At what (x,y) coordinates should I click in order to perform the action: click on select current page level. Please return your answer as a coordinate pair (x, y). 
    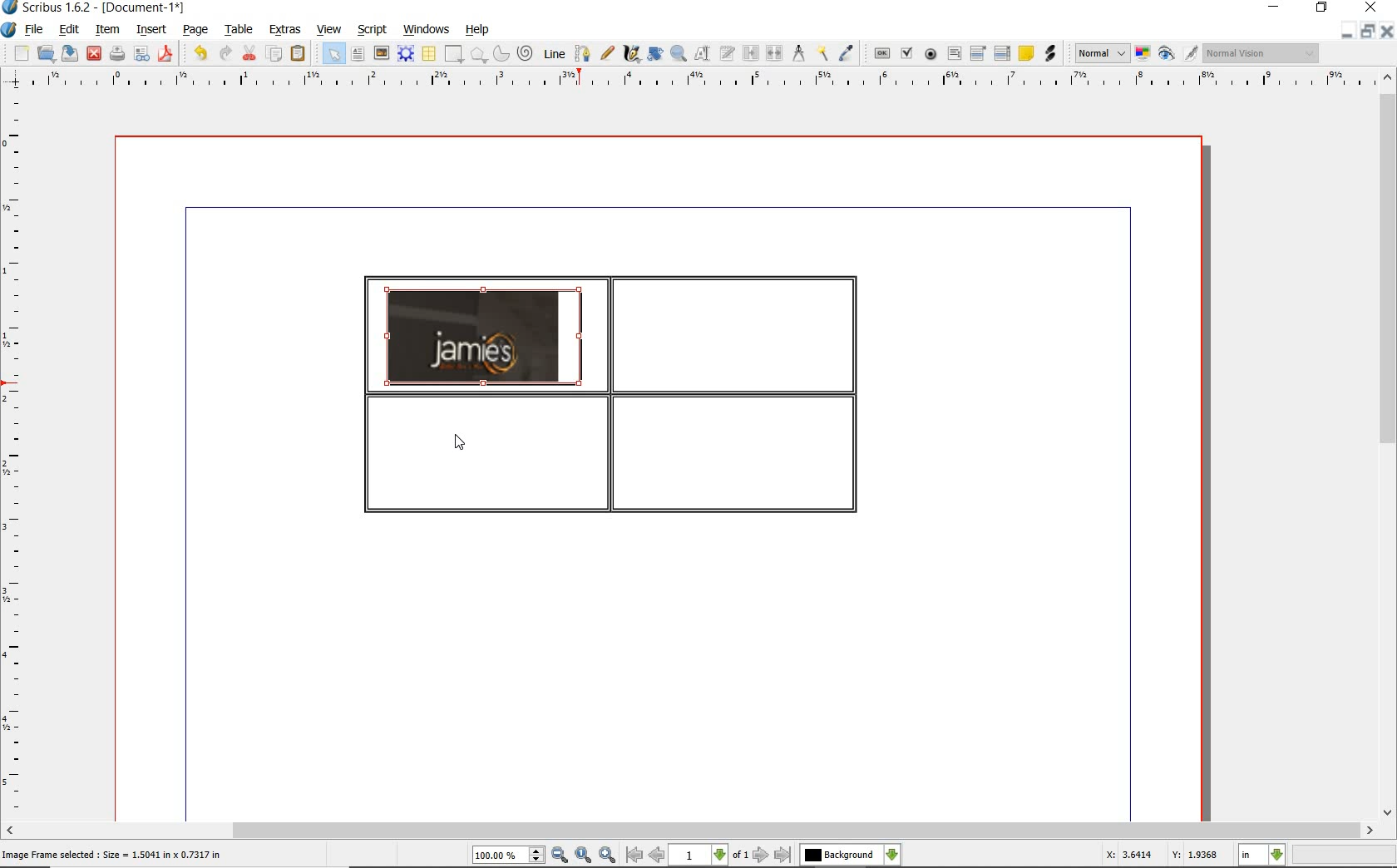
    Looking at the image, I should click on (709, 855).